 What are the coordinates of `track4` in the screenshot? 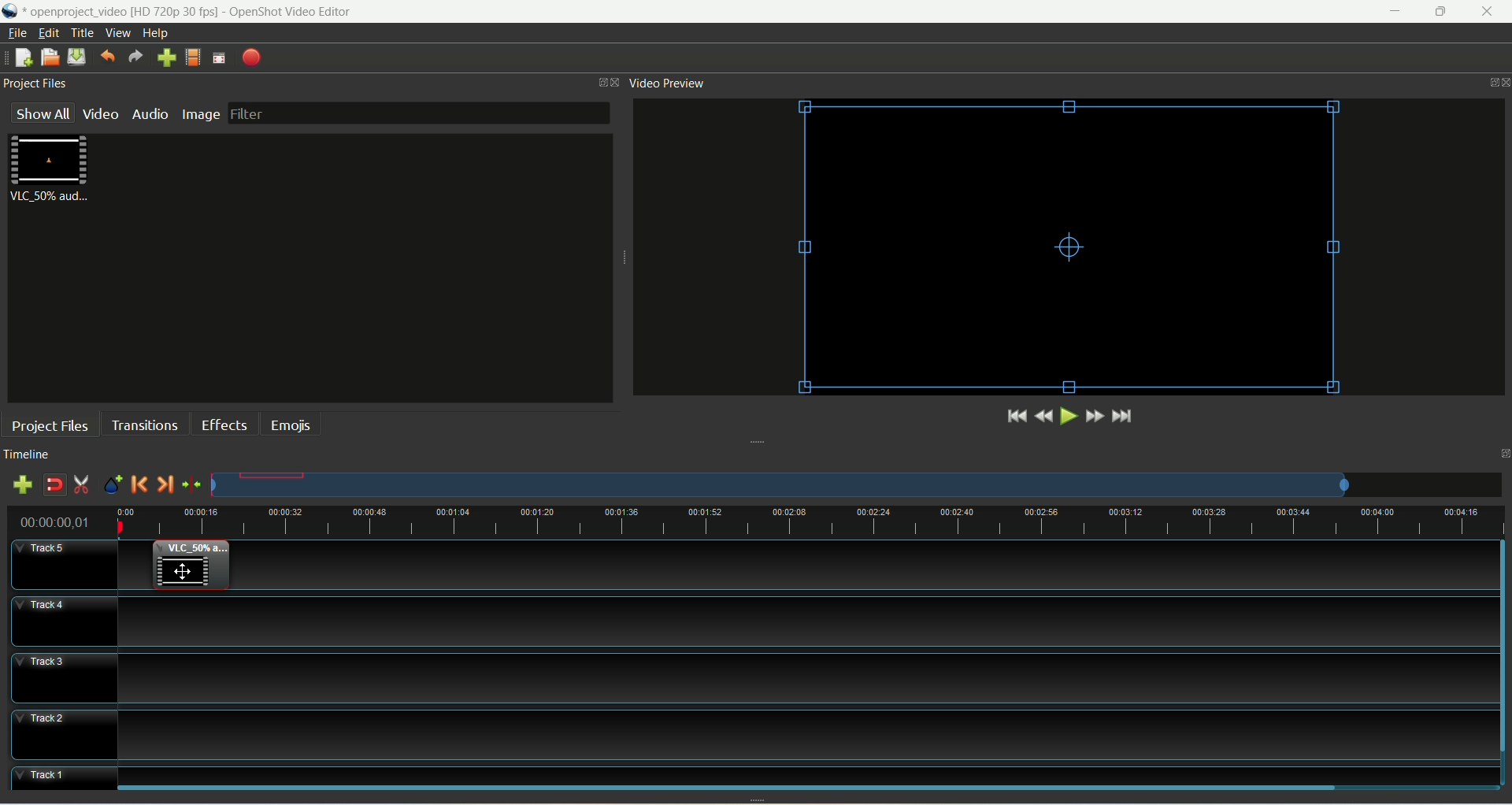 It's located at (63, 621).